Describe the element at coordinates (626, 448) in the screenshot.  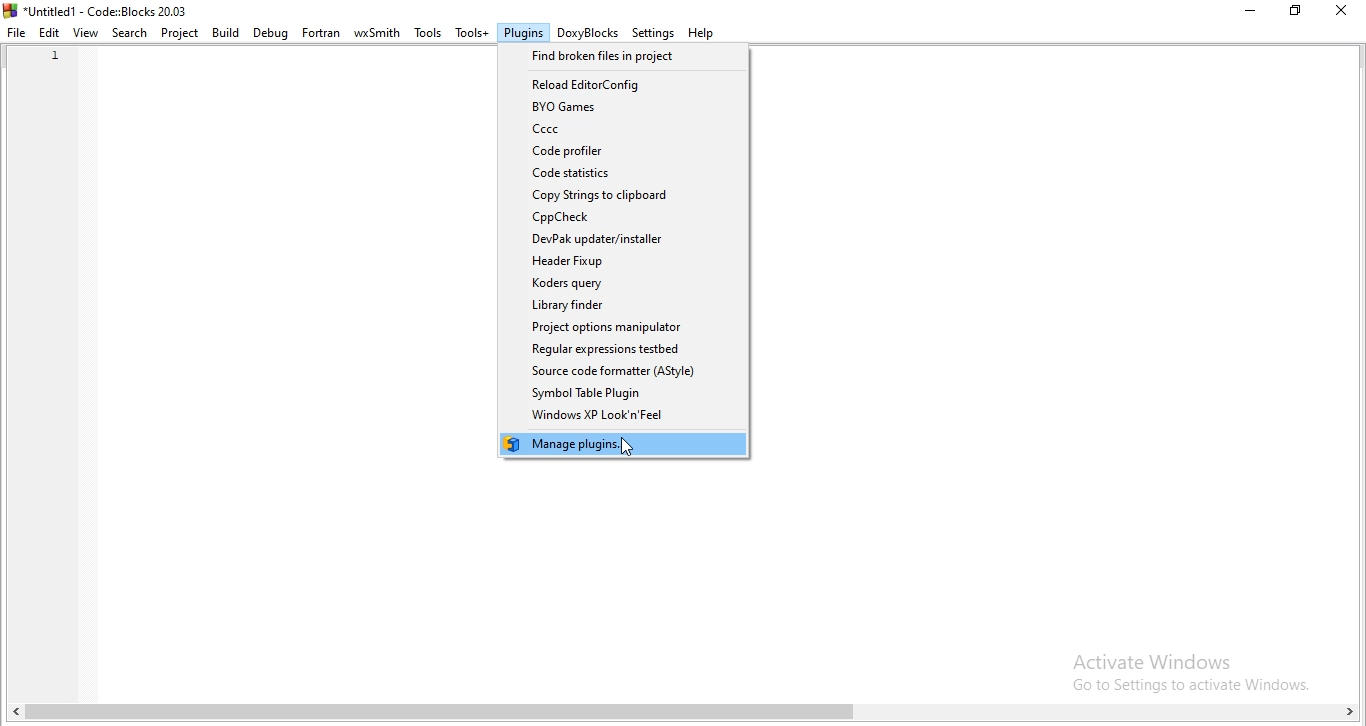
I see `cursor` at that location.